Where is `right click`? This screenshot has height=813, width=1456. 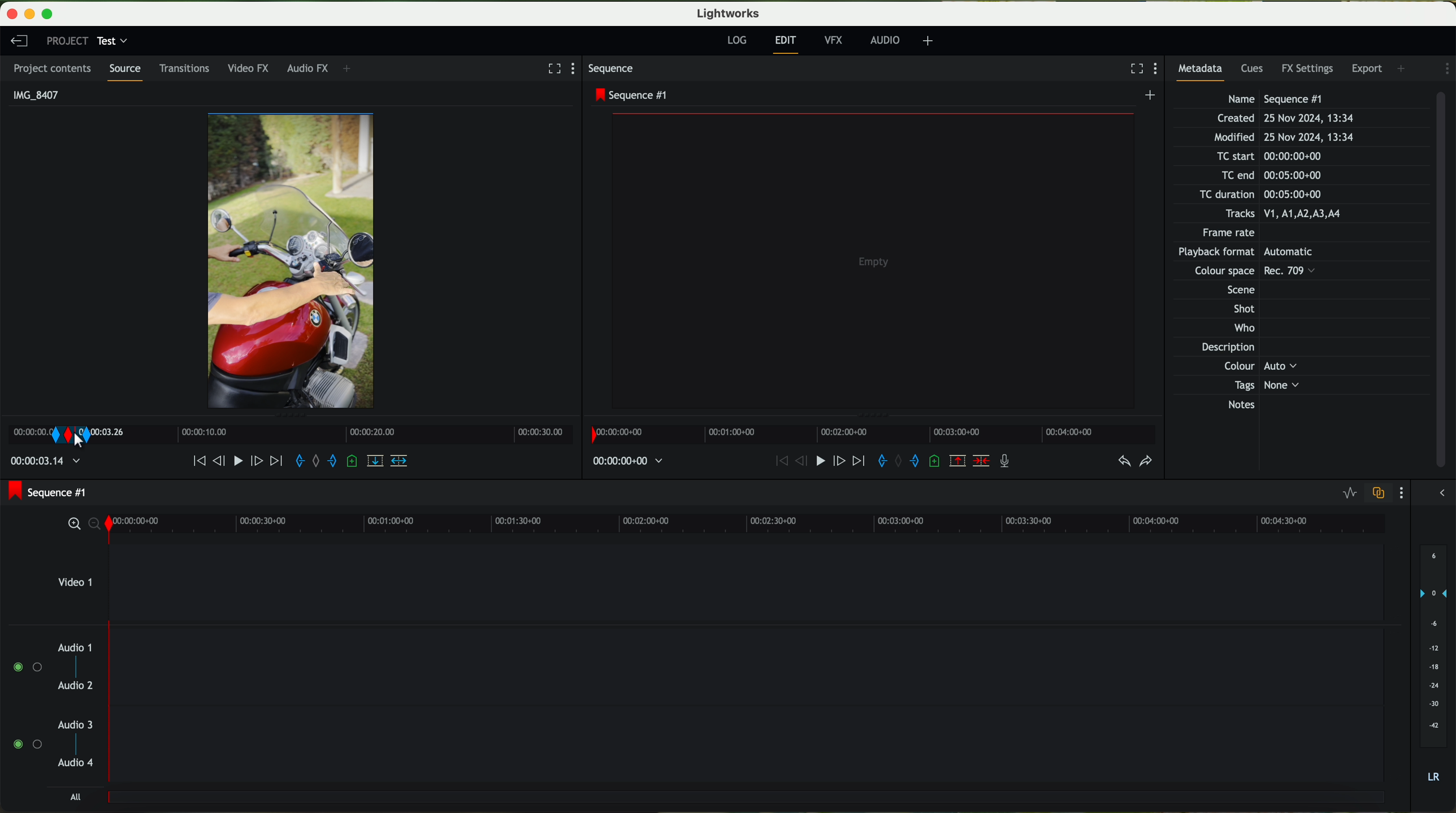
right click is located at coordinates (82, 439).